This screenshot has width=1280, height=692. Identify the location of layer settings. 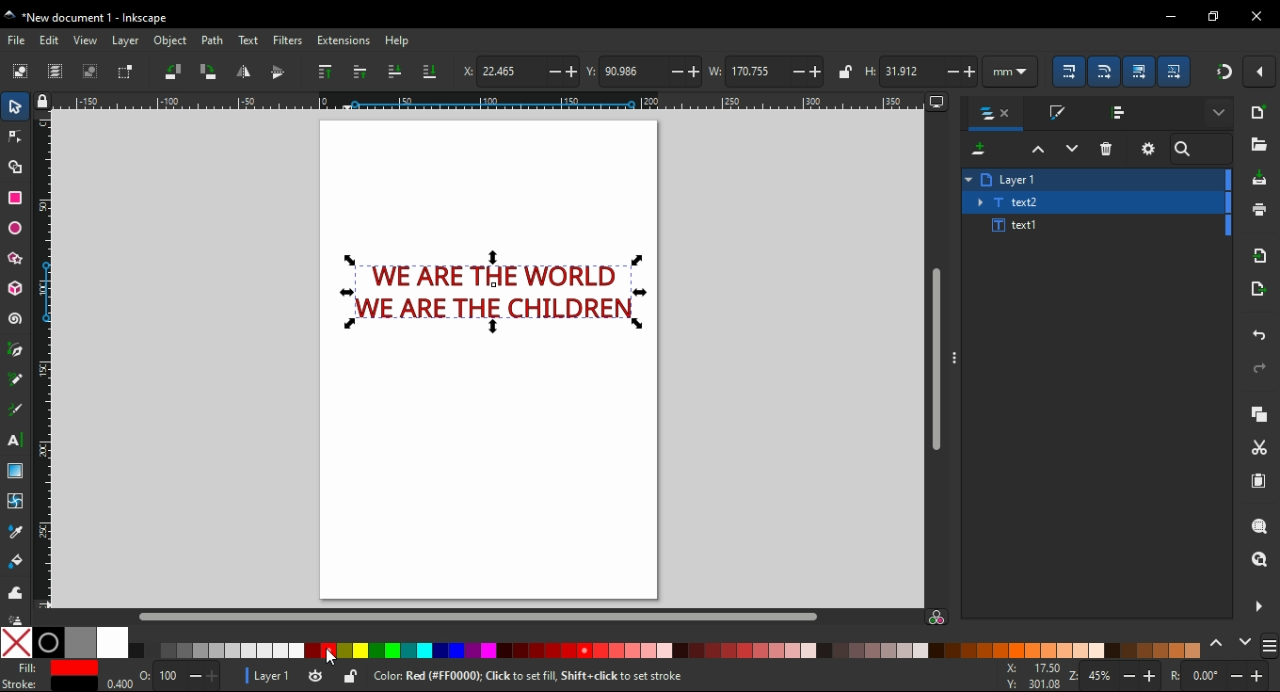
(1149, 148).